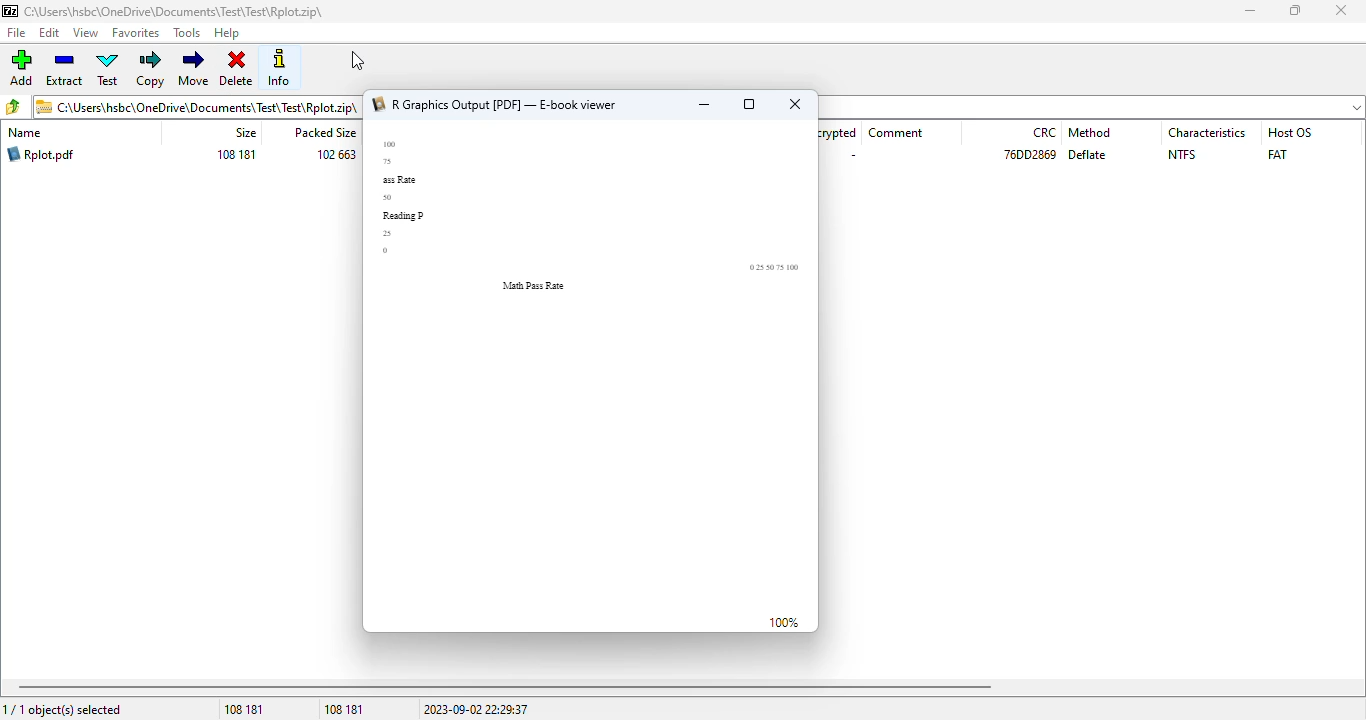 Image resolution: width=1366 pixels, height=720 pixels. I want to click on 1/1 object(s) selected, so click(63, 710).